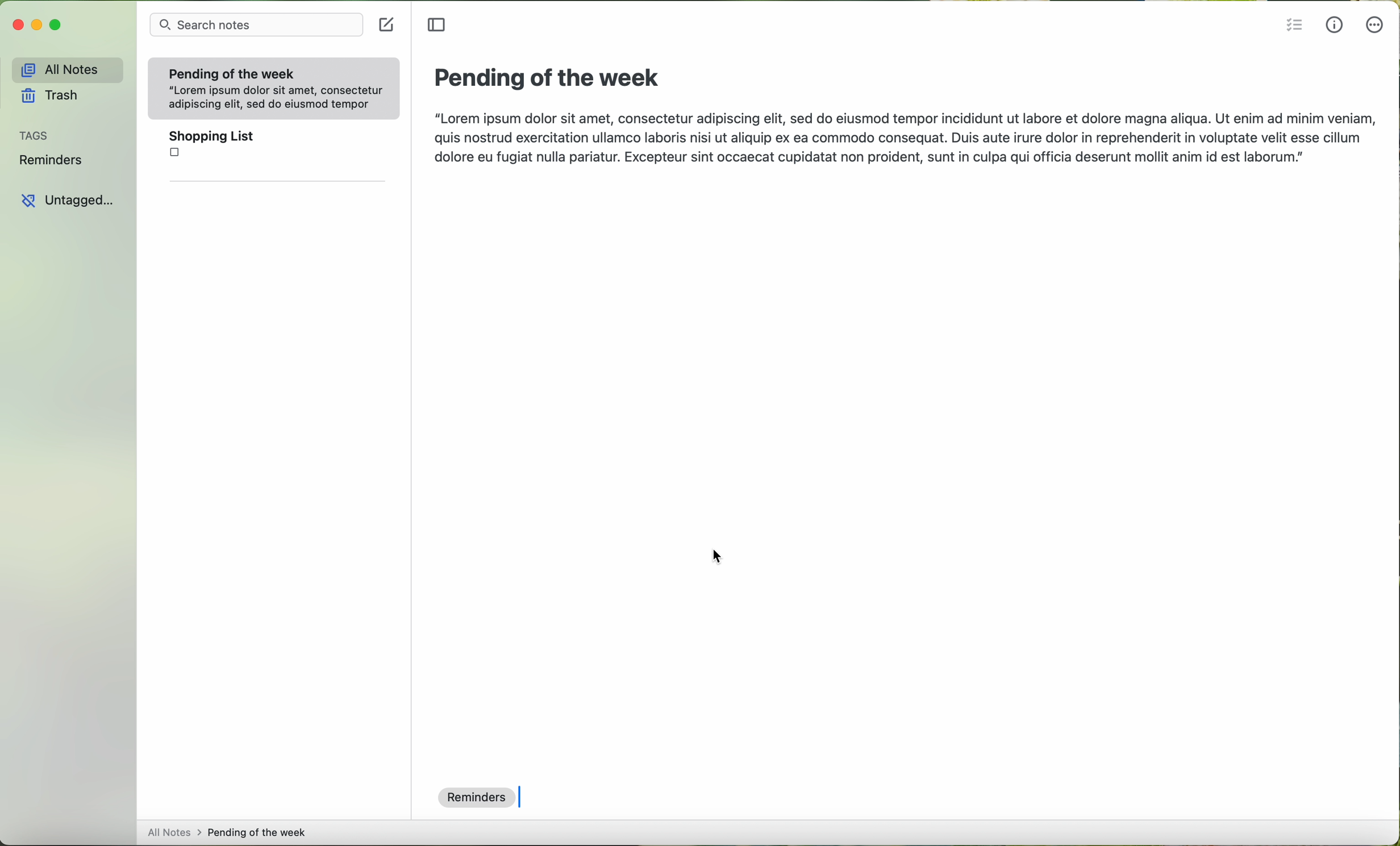  I want to click on untagged, so click(65, 200).